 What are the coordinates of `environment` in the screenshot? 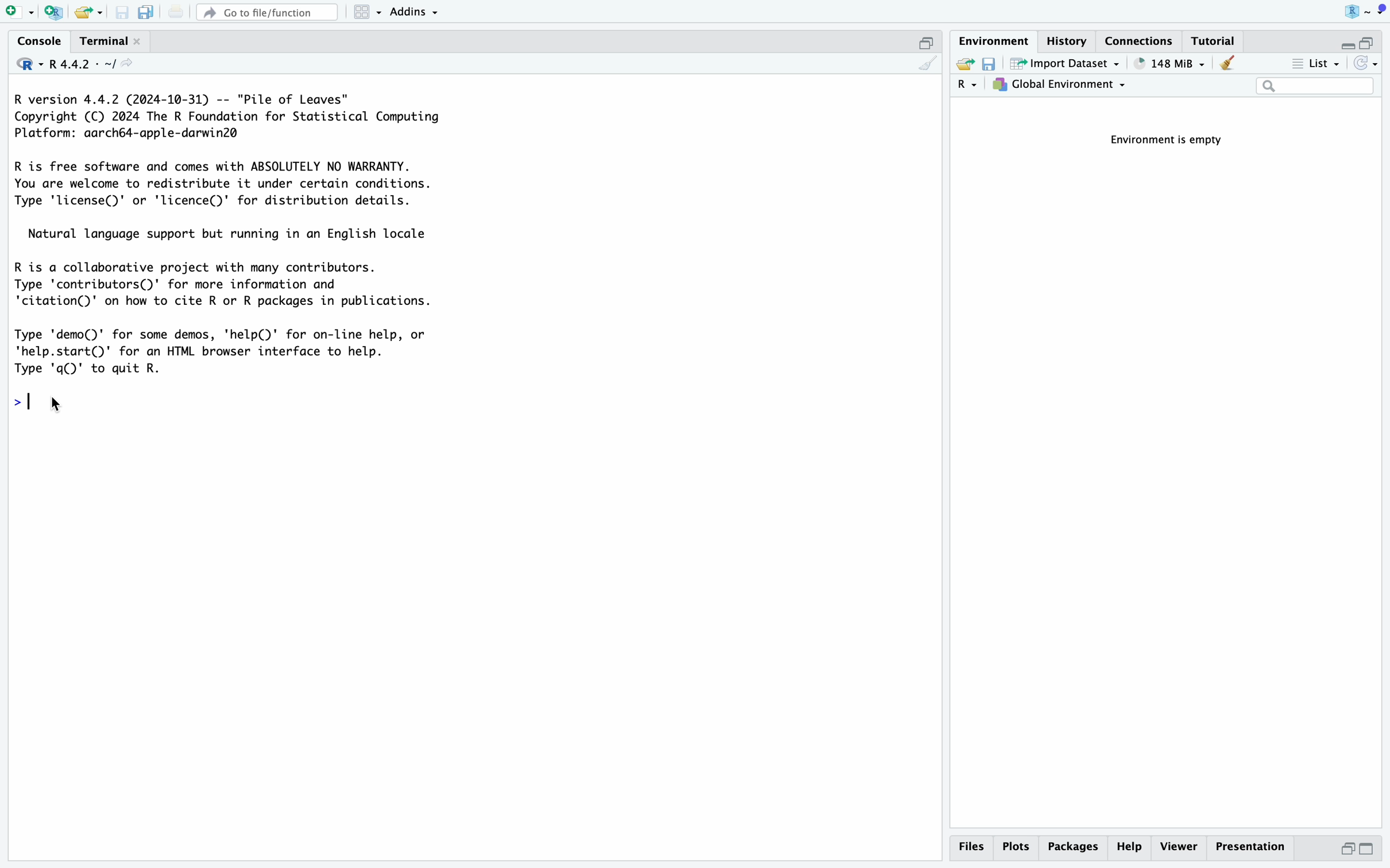 It's located at (995, 39).